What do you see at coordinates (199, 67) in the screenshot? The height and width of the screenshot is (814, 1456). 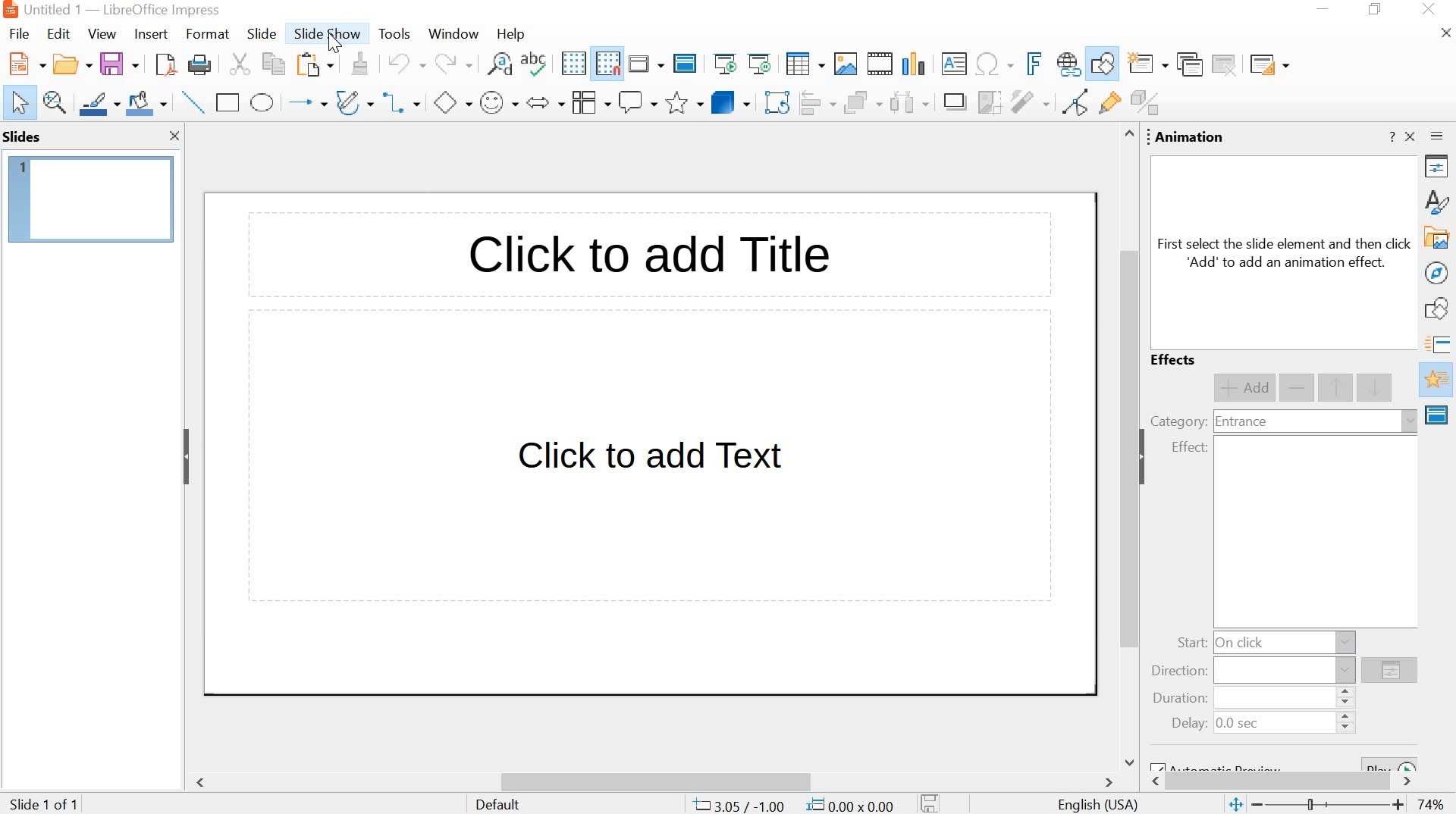 I see `print` at bounding box center [199, 67].